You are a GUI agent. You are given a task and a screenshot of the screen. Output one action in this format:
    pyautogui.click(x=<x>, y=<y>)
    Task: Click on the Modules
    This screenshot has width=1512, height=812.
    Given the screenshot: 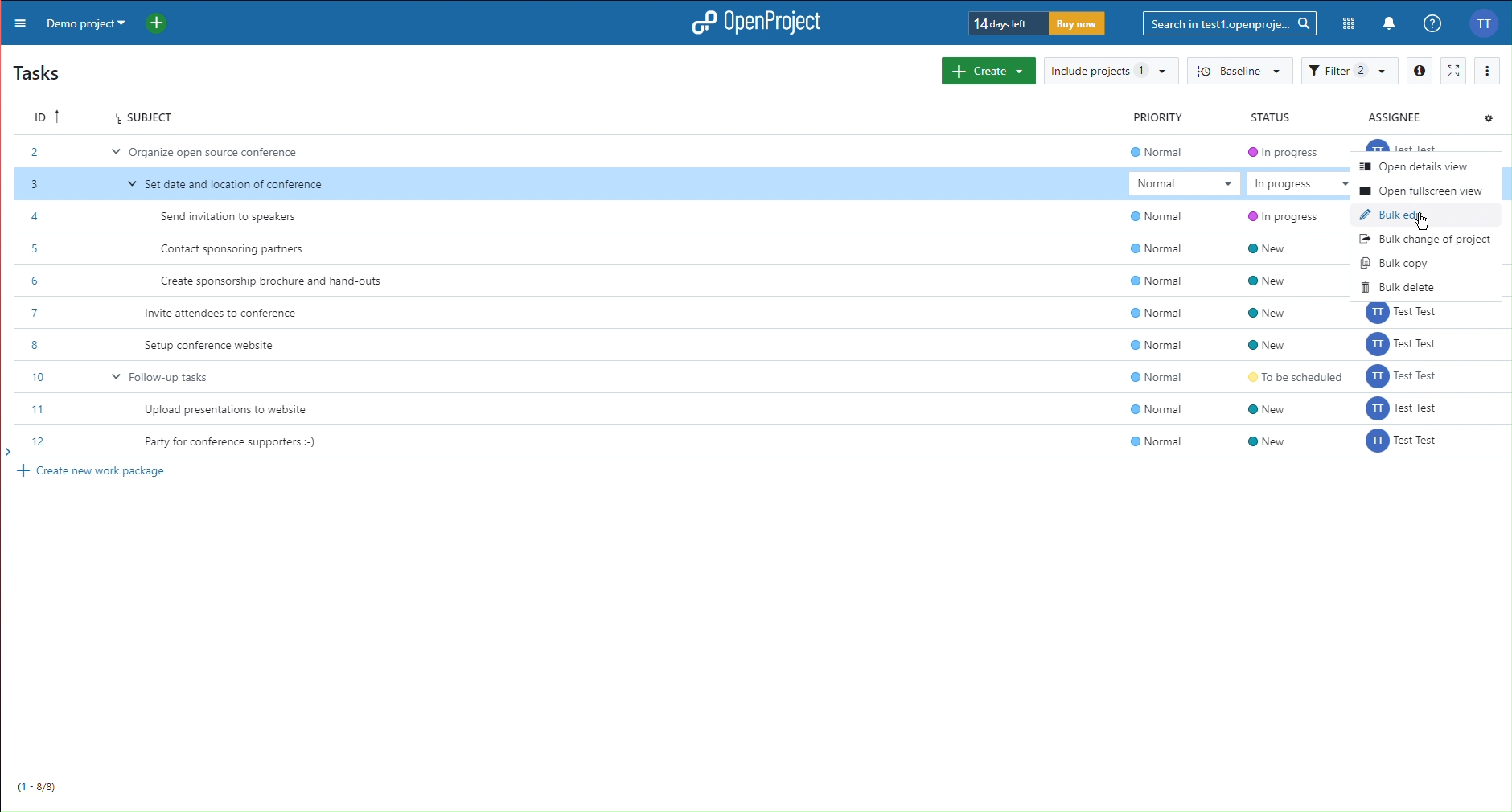 What is the action you would take?
    pyautogui.click(x=1350, y=24)
    